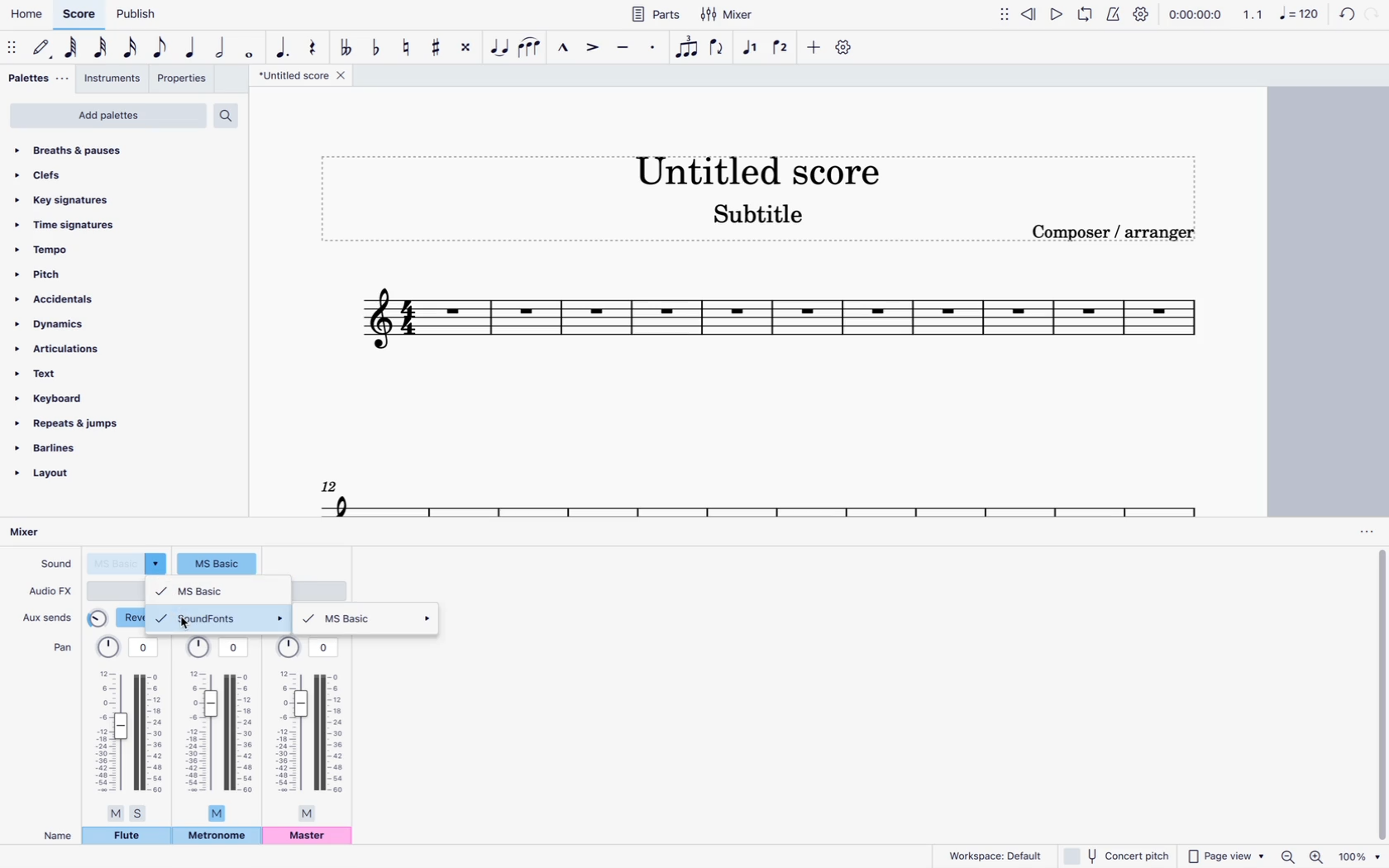 This screenshot has height=868, width=1389. I want to click on marcato, so click(561, 46).